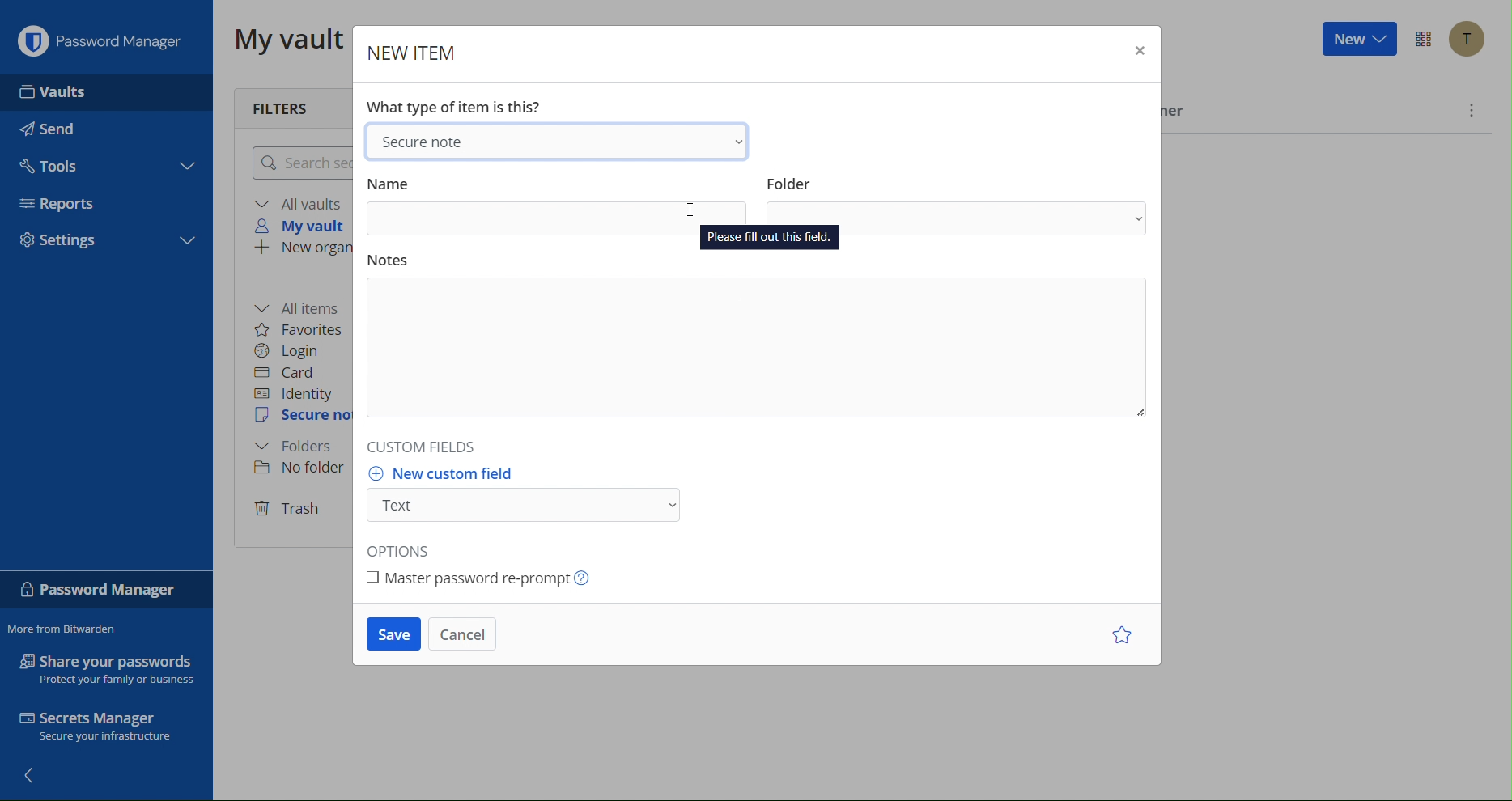 The height and width of the screenshot is (801, 1512). Describe the element at coordinates (557, 208) in the screenshot. I see `Name` at that location.